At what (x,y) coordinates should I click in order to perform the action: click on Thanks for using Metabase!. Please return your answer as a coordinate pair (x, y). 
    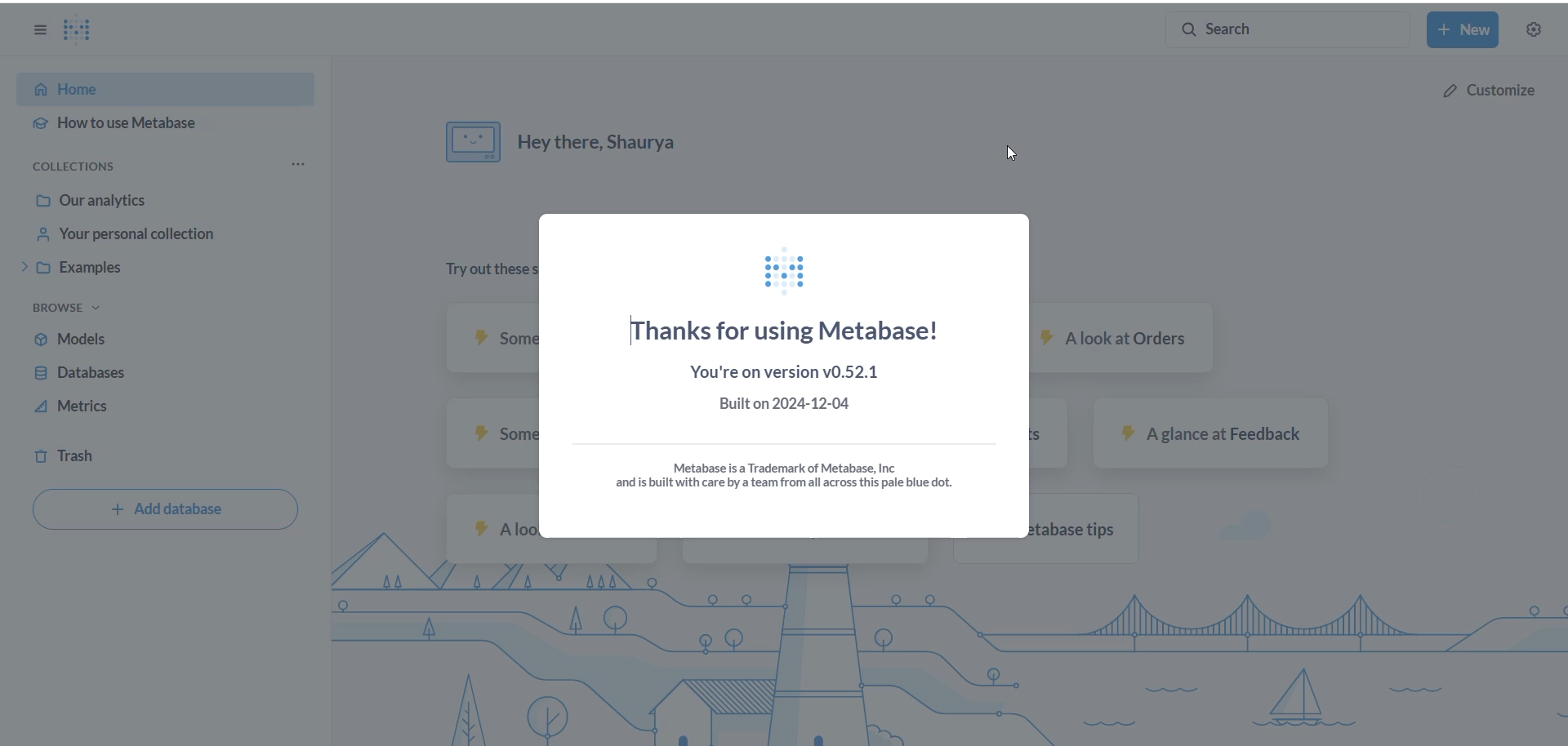
    Looking at the image, I should click on (787, 328).